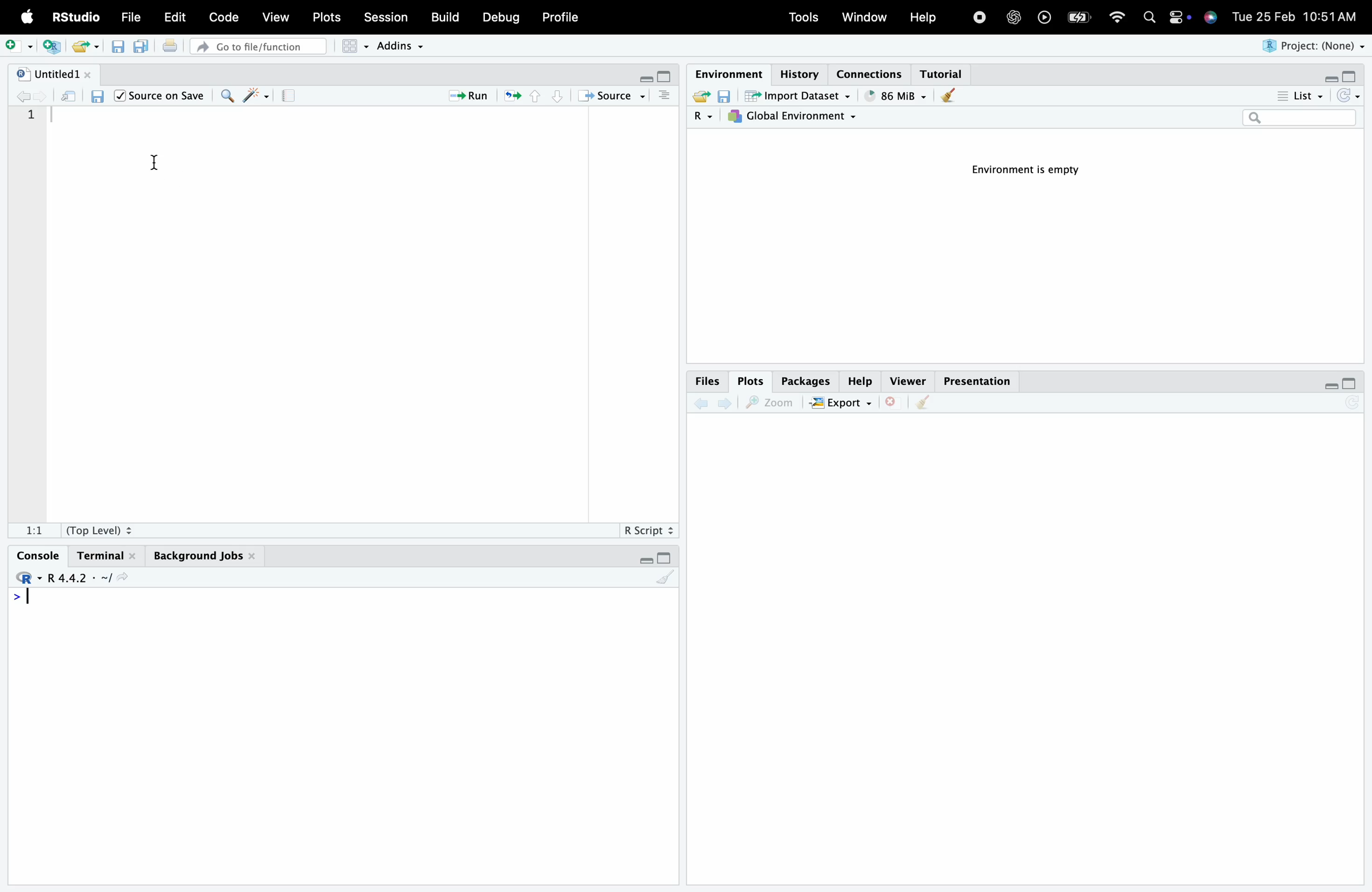 The width and height of the screenshot is (1372, 892). Describe the element at coordinates (860, 378) in the screenshot. I see `Help` at that location.